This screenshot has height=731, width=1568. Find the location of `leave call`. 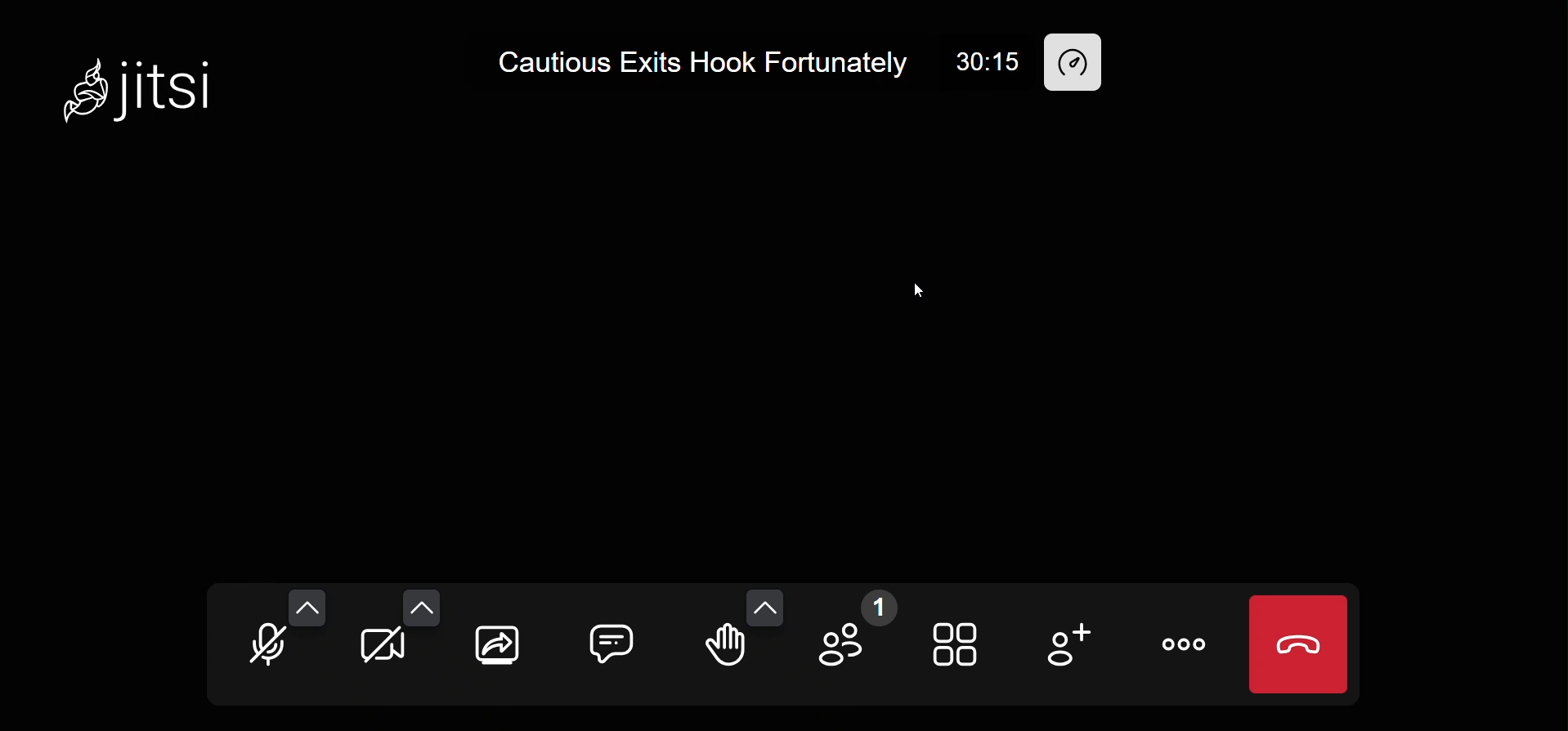

leave call is located at coordinates (1296, 640).